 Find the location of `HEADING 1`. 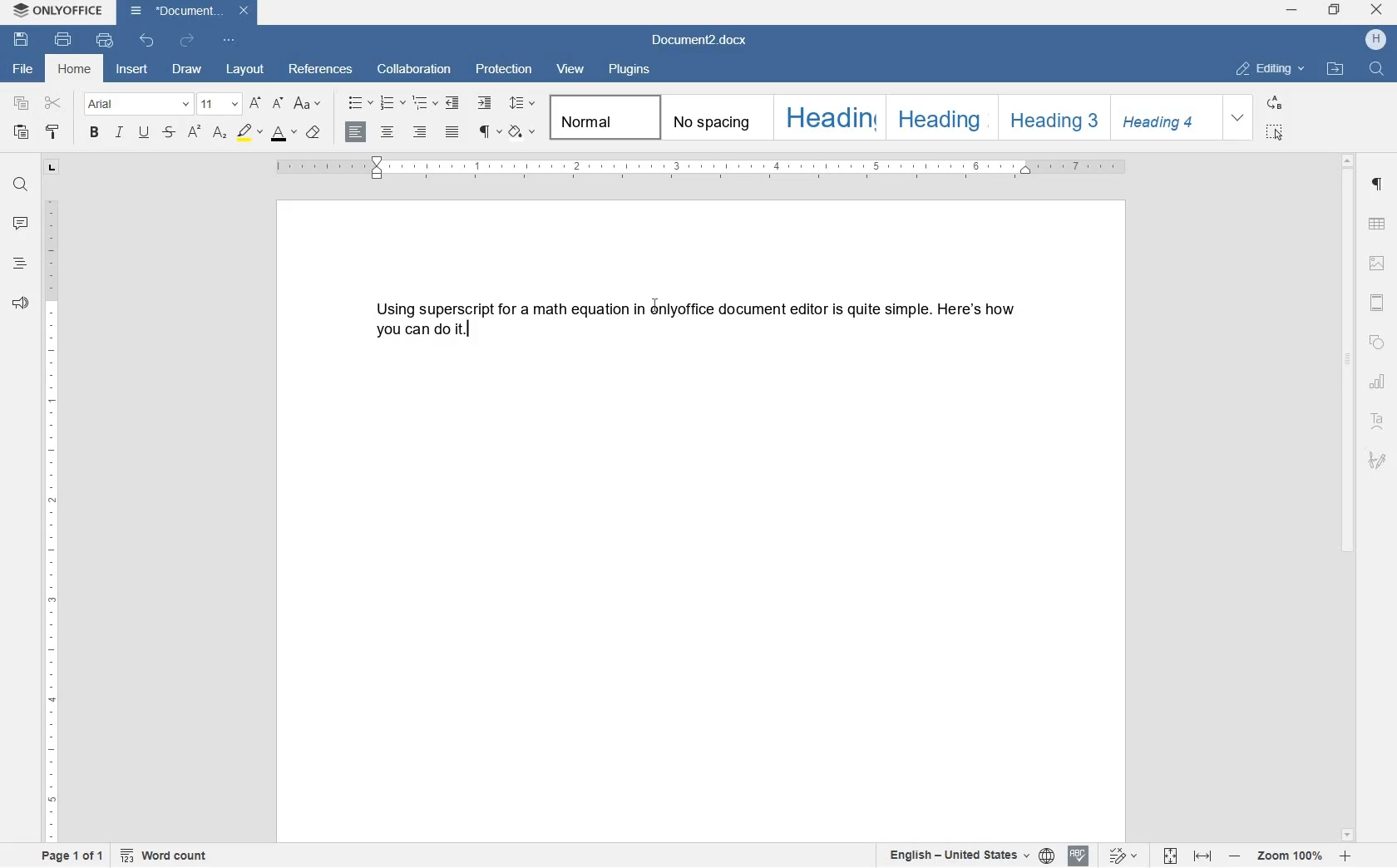

HEADING 1 is located at coordinates (827, 118).